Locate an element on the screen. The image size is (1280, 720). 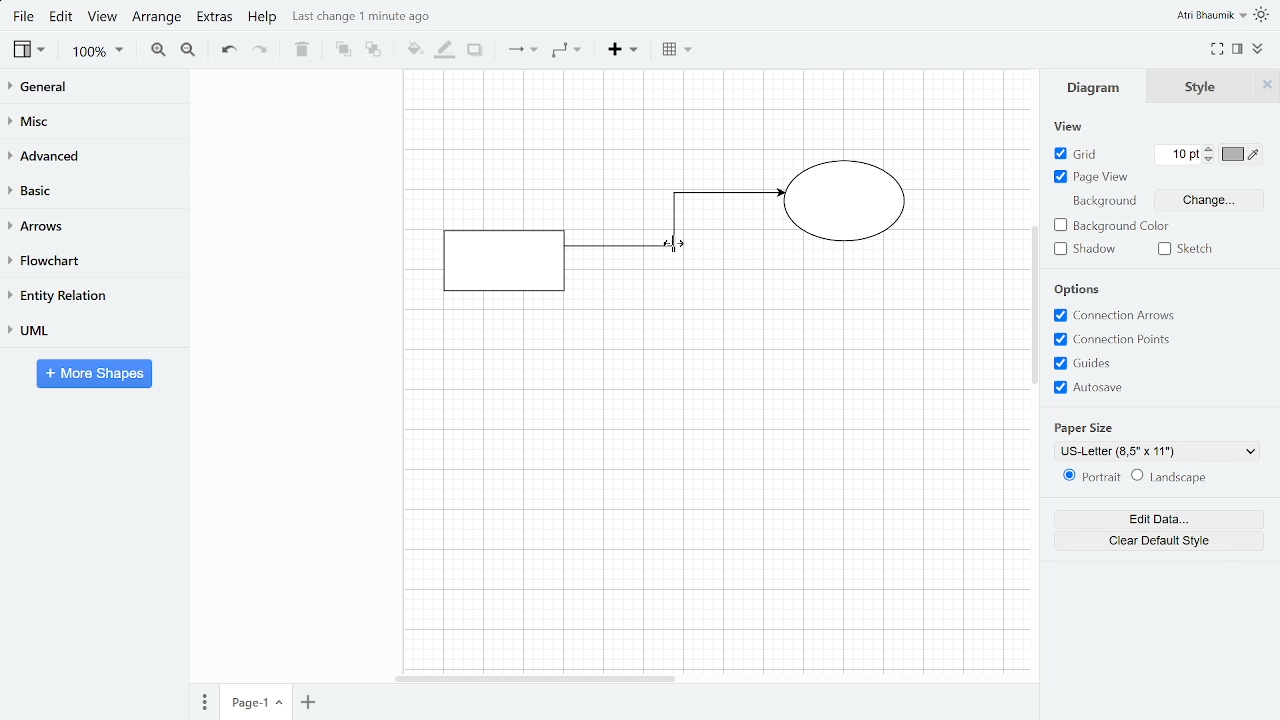
Shadow is located at coordinates (474, 50).